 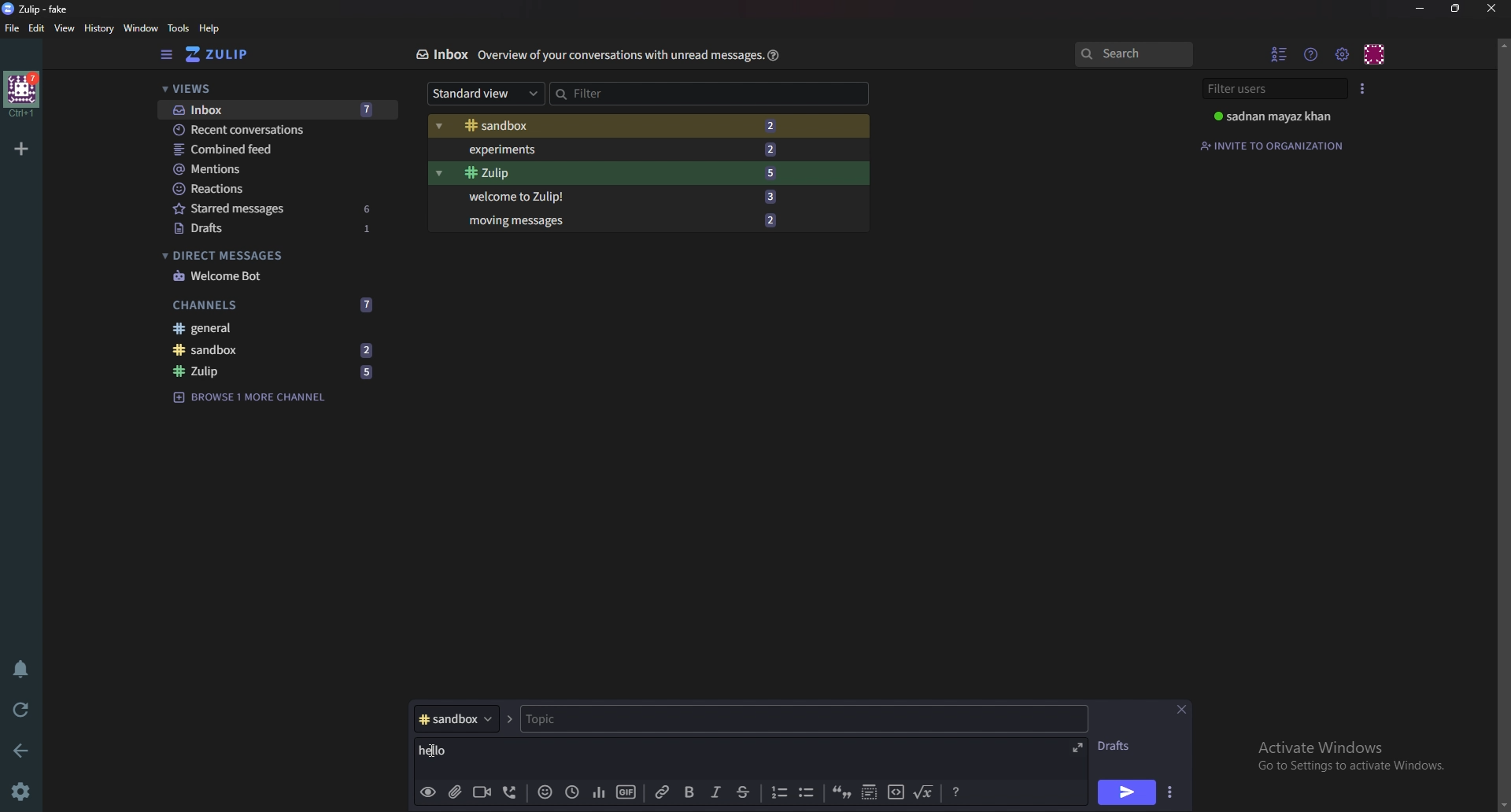 What do you see at coordinates (167, 55) in the screenshot?
I see `sidebar` at bounding box center [167, 55].